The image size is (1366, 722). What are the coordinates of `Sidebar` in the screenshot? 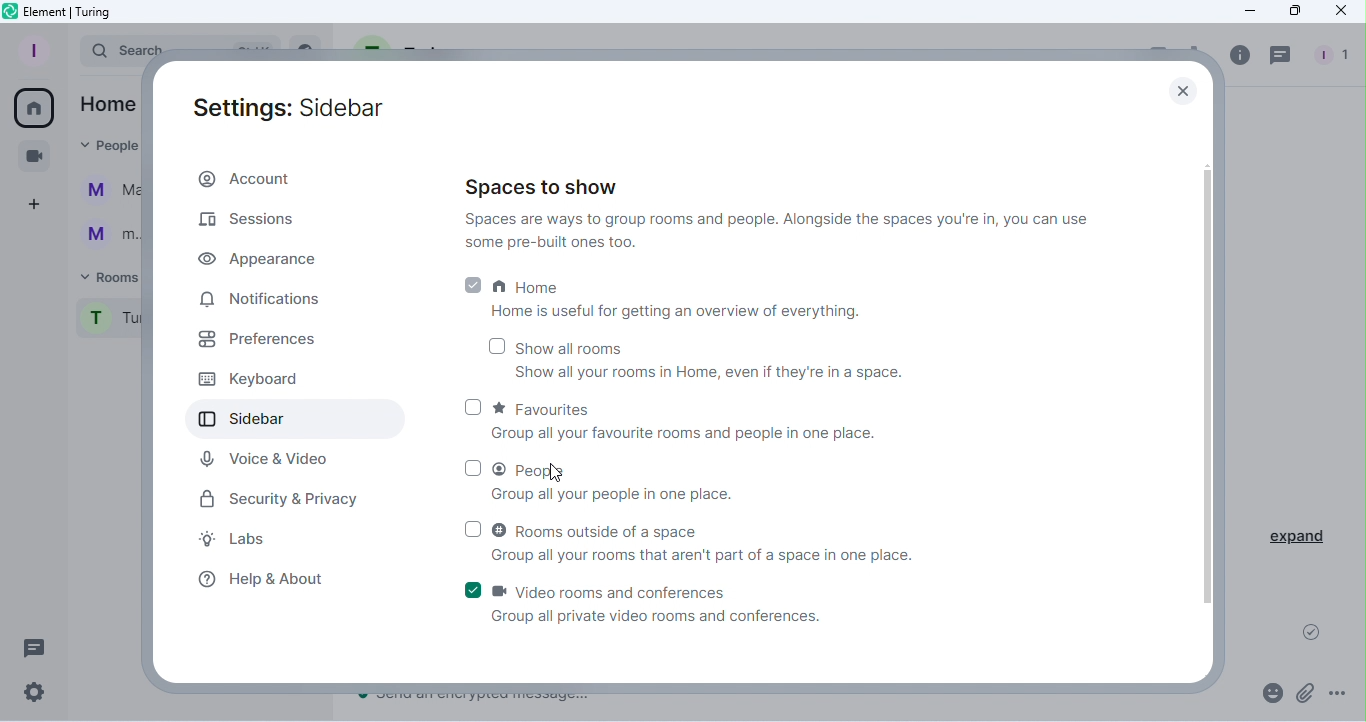 It's located at (267, 417).